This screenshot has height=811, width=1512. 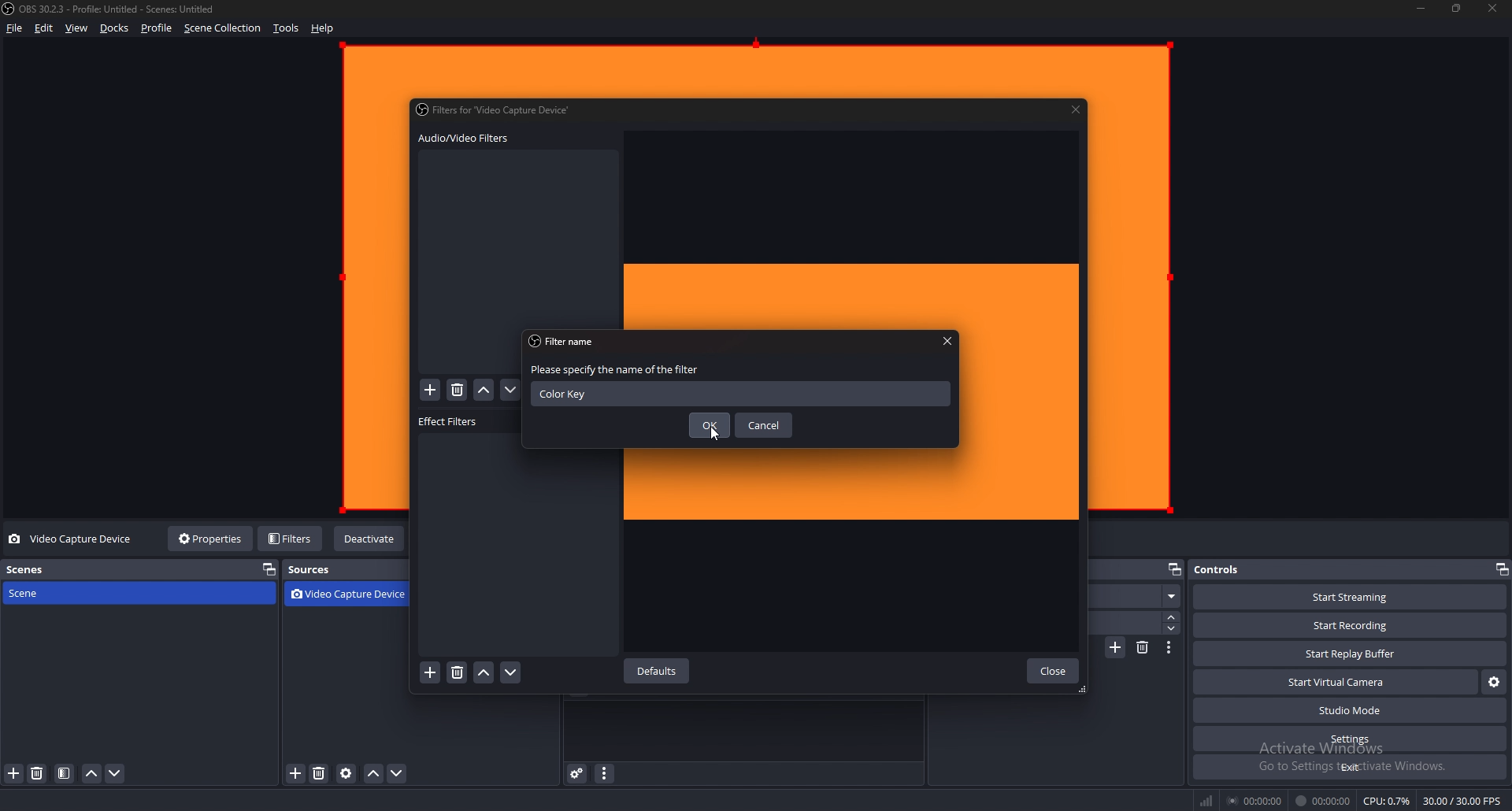 What do you see at coordinates (1227, 569) in the screenshot?
I see `controls` at bounding box center [1227, 569].